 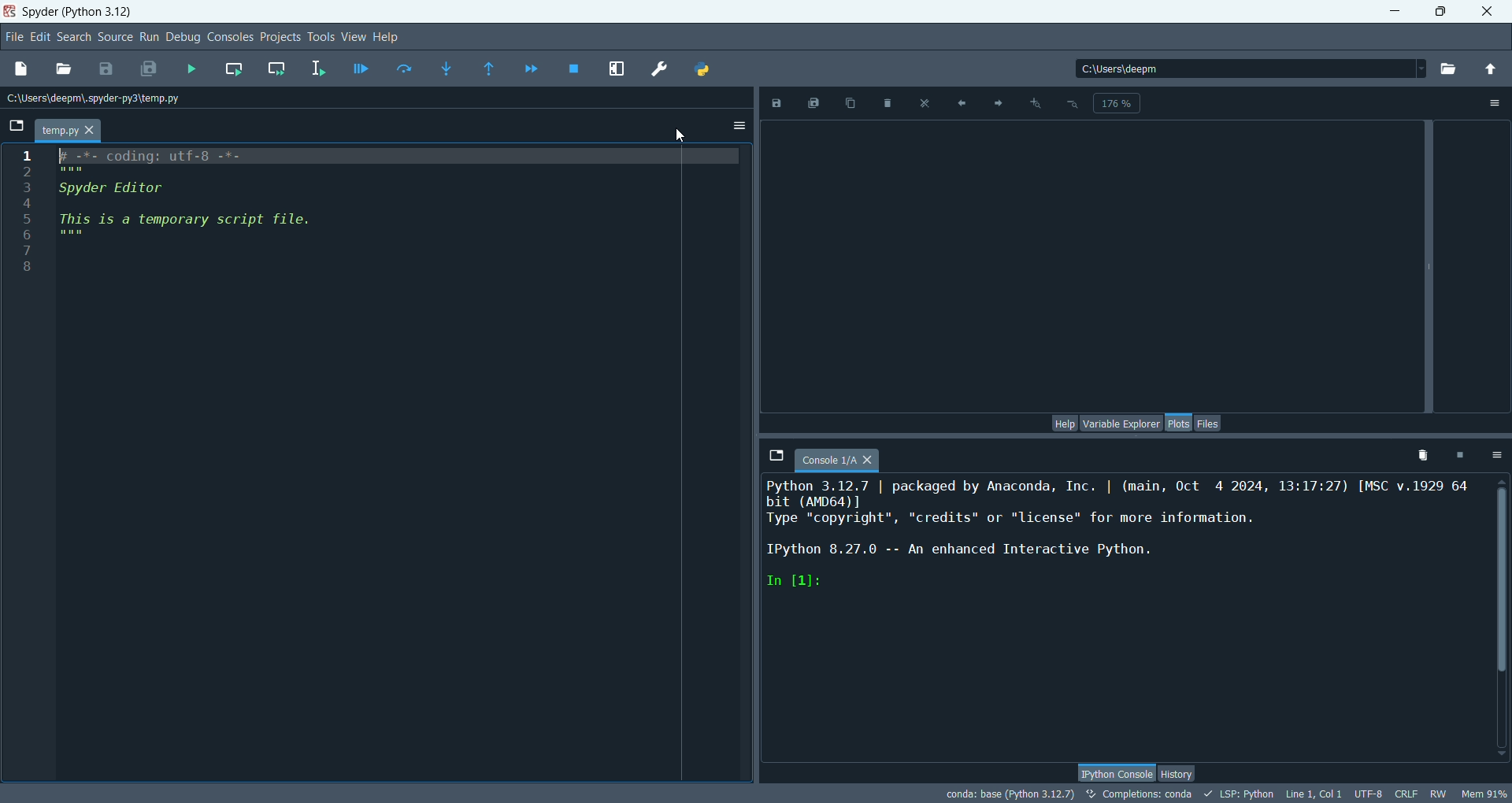 What do you see at coordinates (446, 68) in the screenshot?
I see `step into function` at bounding box center [446, 68].